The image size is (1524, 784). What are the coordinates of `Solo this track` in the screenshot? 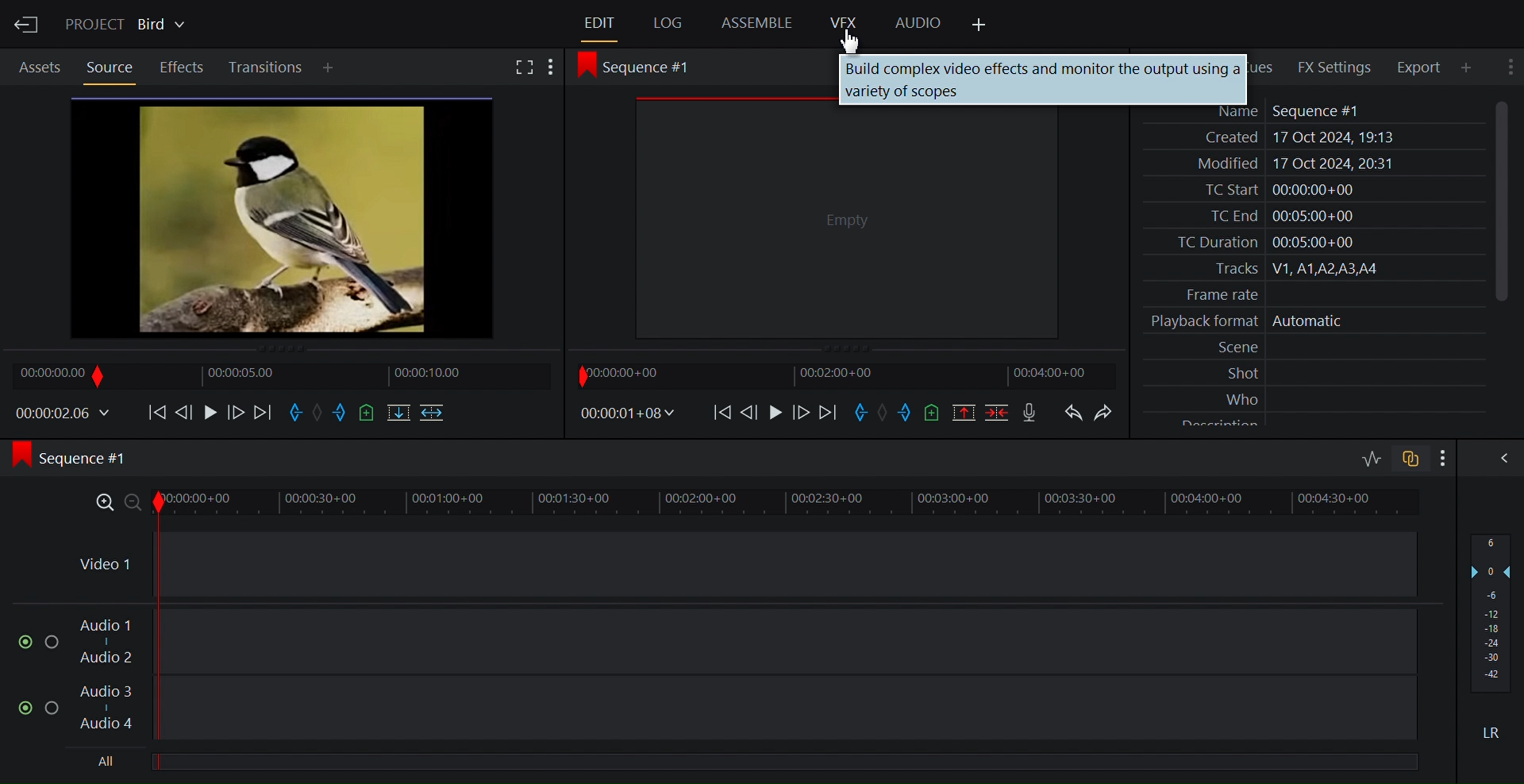 It's located at (53, 640).